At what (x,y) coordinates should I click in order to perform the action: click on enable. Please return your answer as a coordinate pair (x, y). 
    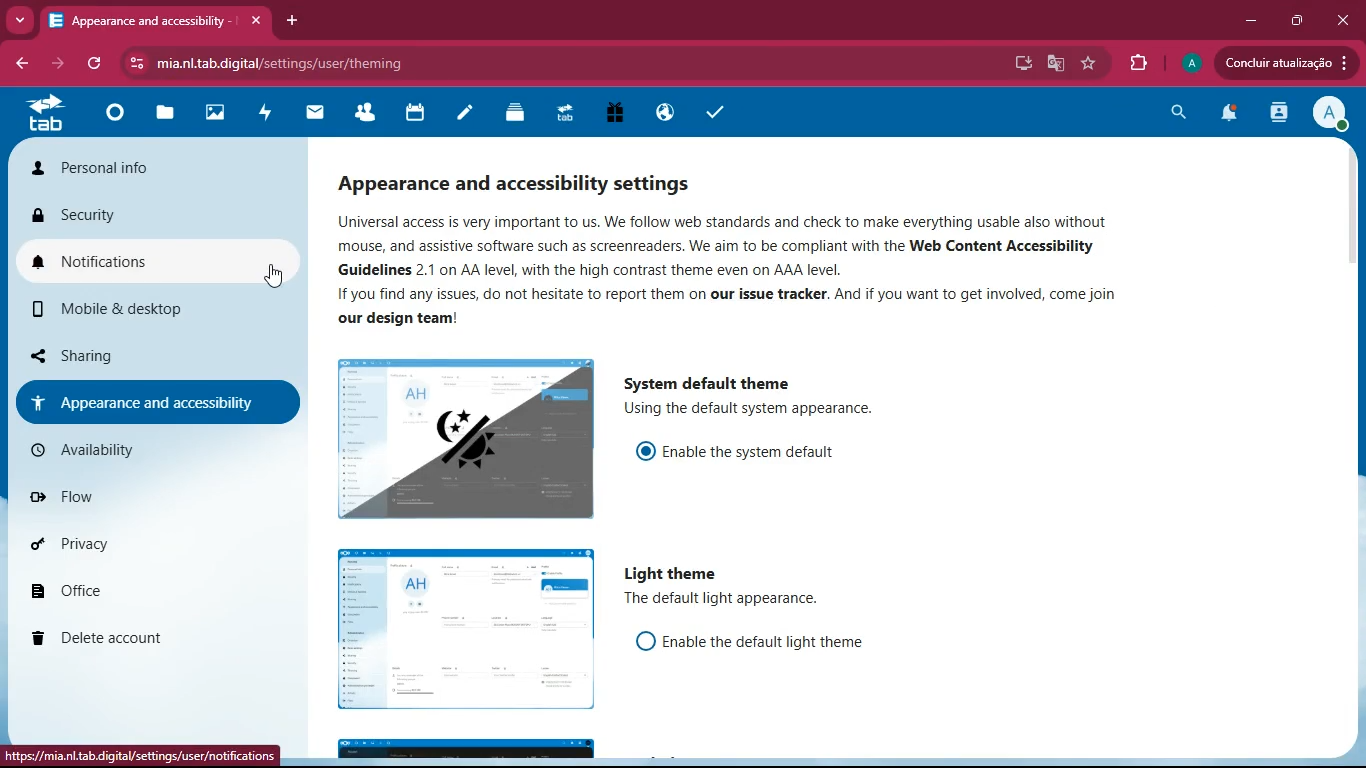
    Looking at the image, I should click on (744, 450).